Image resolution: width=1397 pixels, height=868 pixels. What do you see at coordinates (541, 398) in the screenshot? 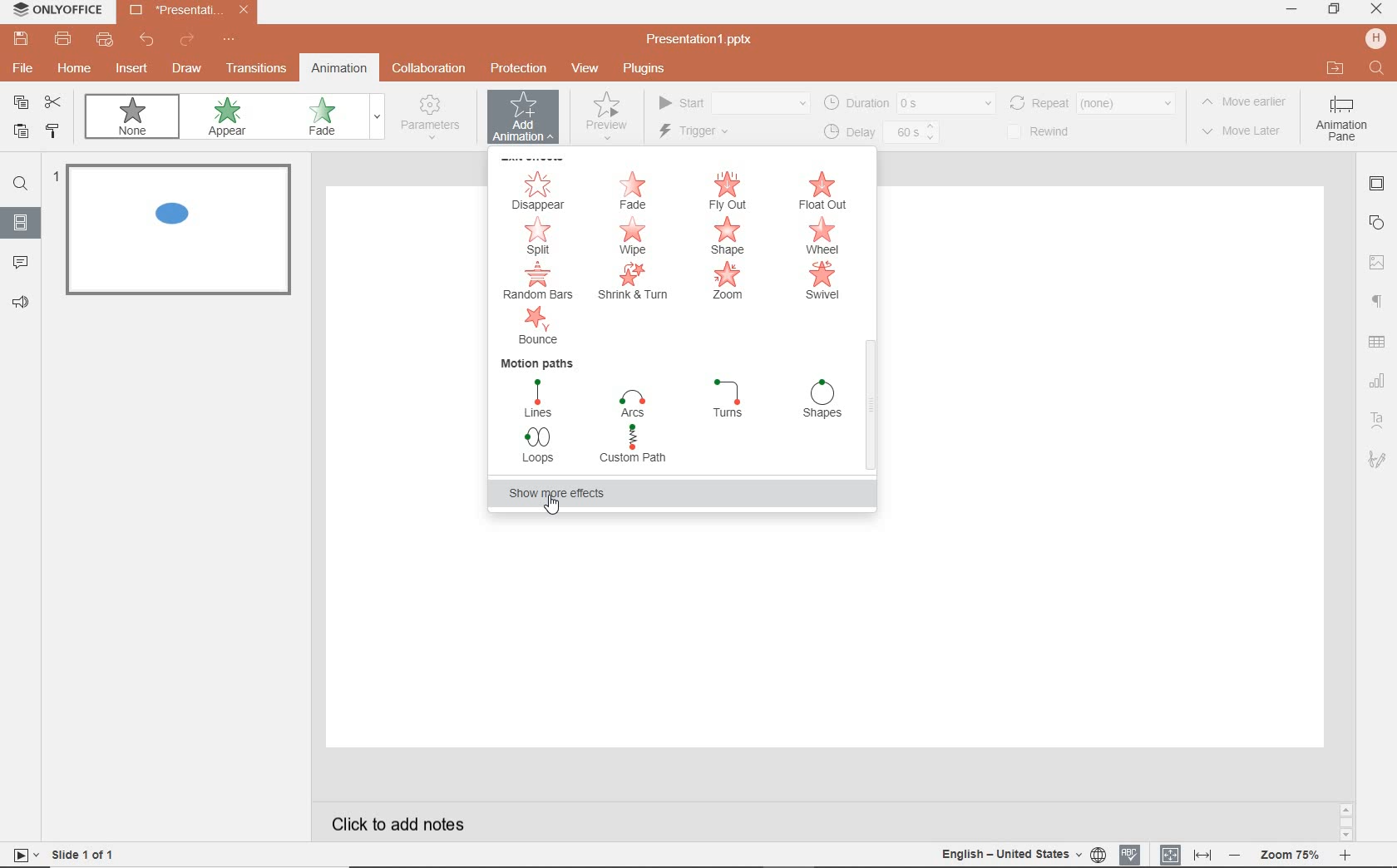
I see `LINES` at bounding box center [541, 398].